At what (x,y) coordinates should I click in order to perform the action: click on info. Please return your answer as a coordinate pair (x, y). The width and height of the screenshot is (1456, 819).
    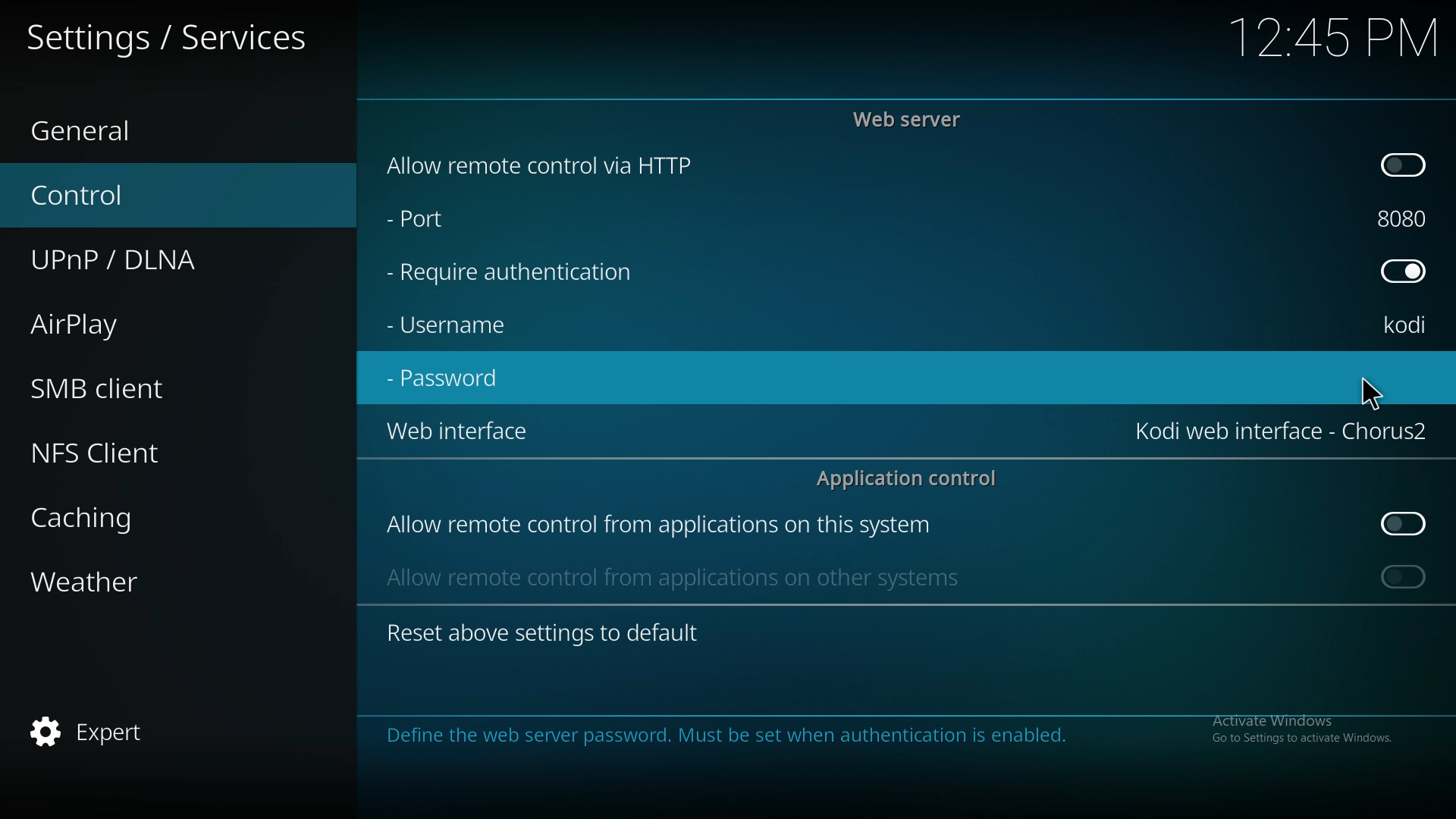
    Looking at the image, I should click on (883, 736).